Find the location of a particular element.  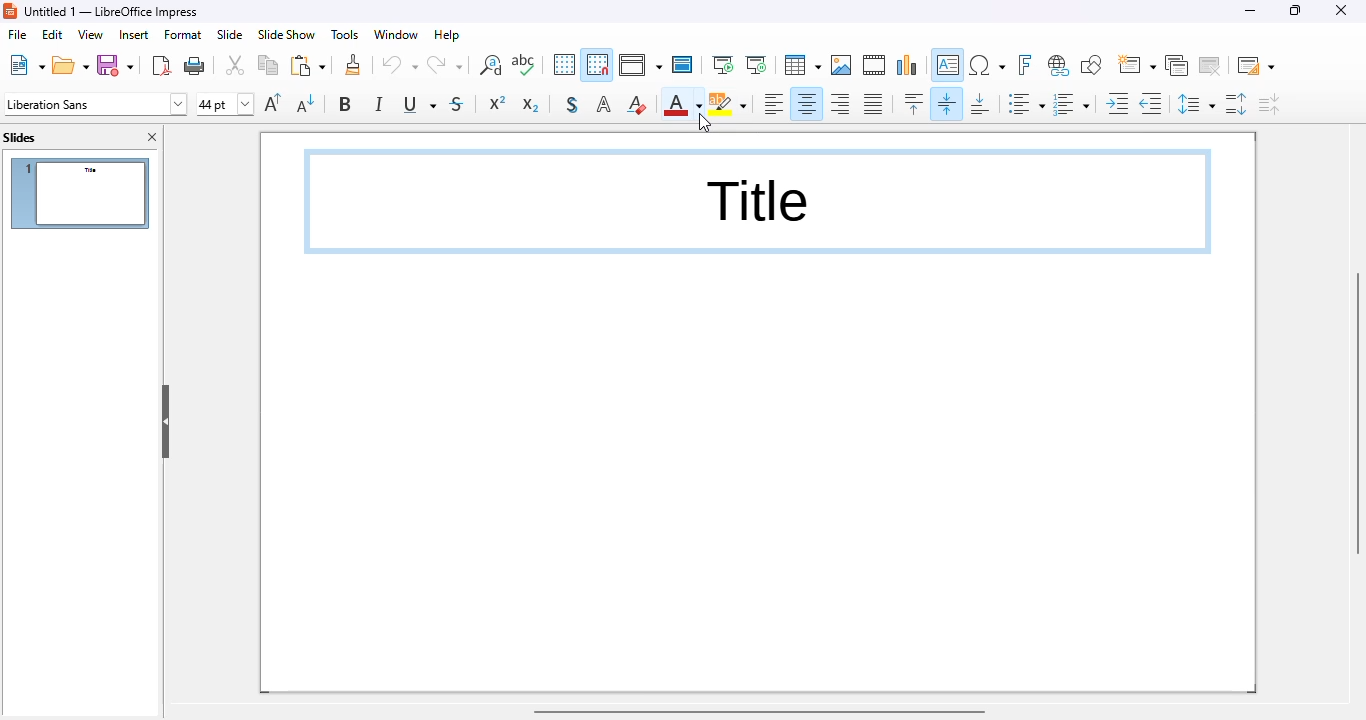

text box is located at coordinates (759, 201).